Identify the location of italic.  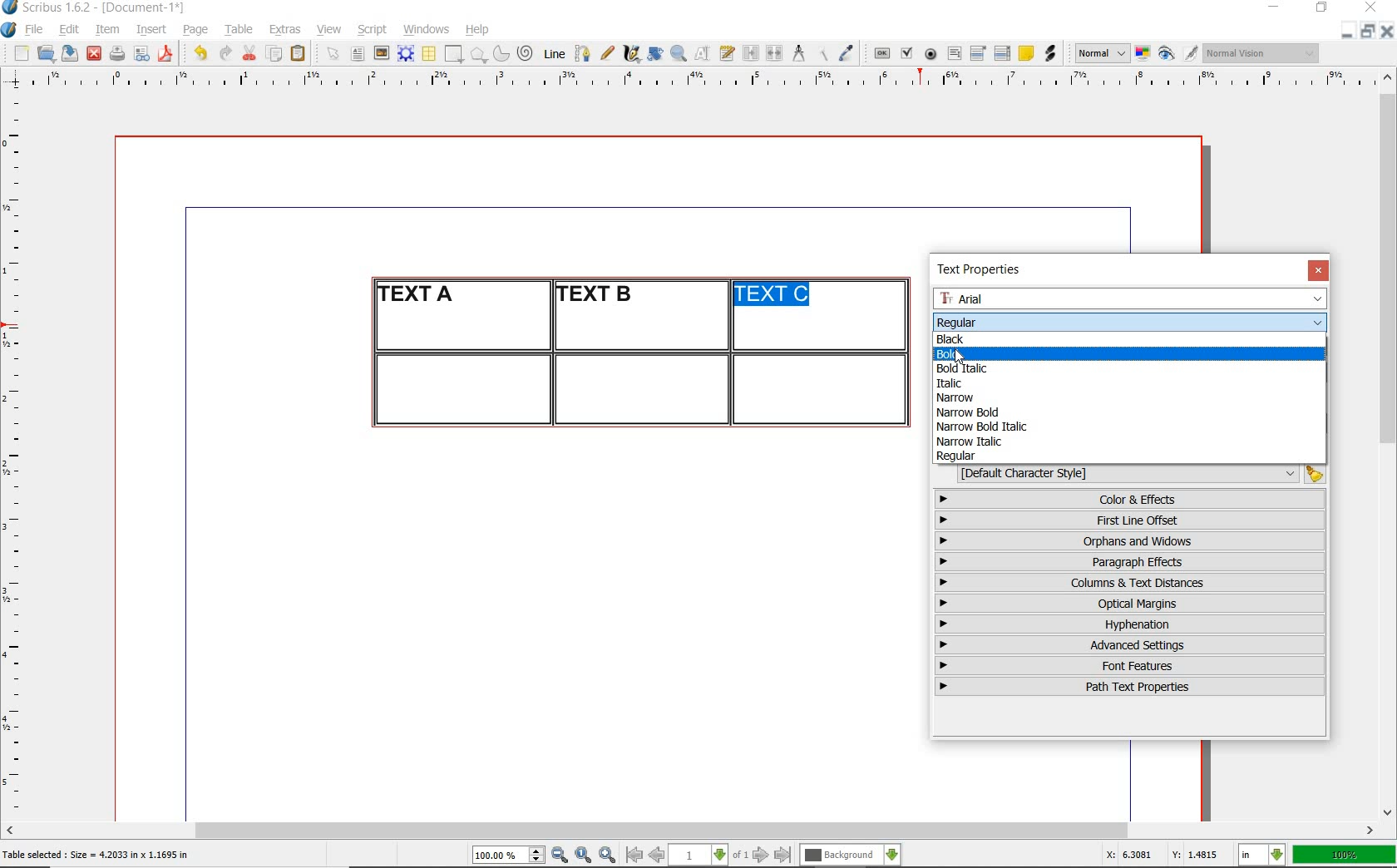
(947, 383).